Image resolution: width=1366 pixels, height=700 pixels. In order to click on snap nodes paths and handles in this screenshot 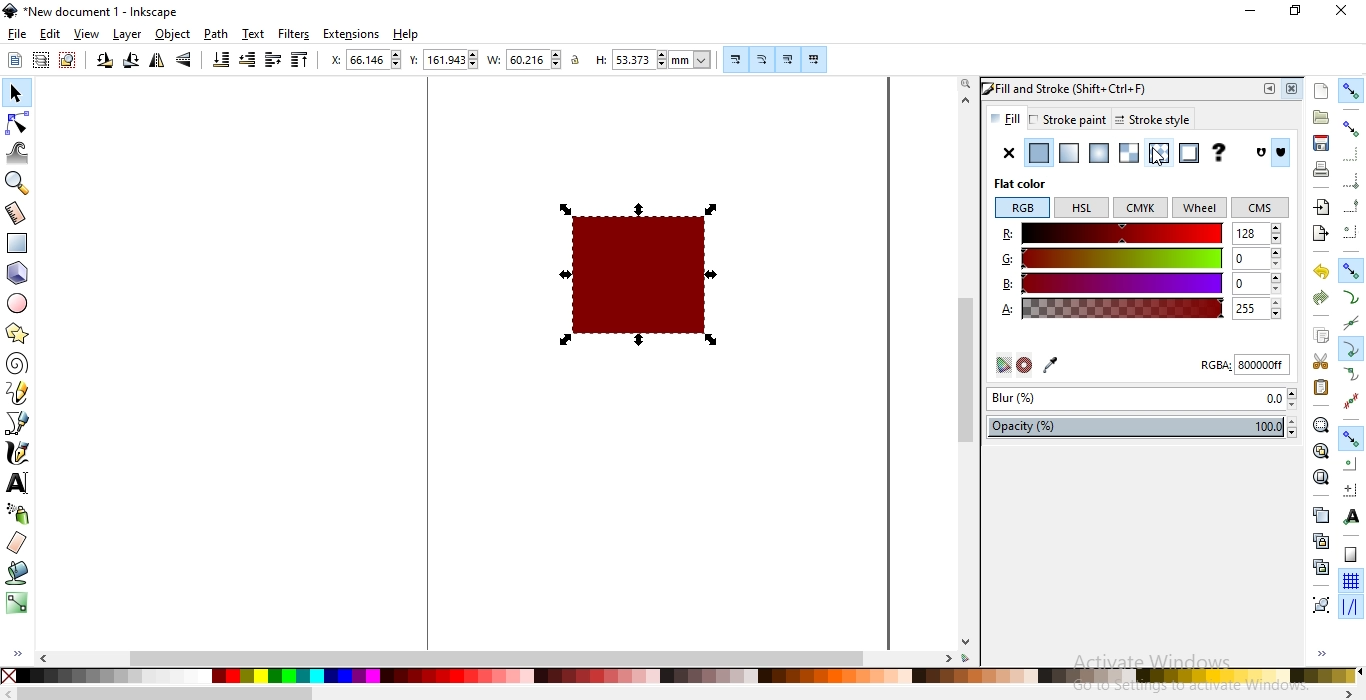, I will do `click(1352, 271)`.